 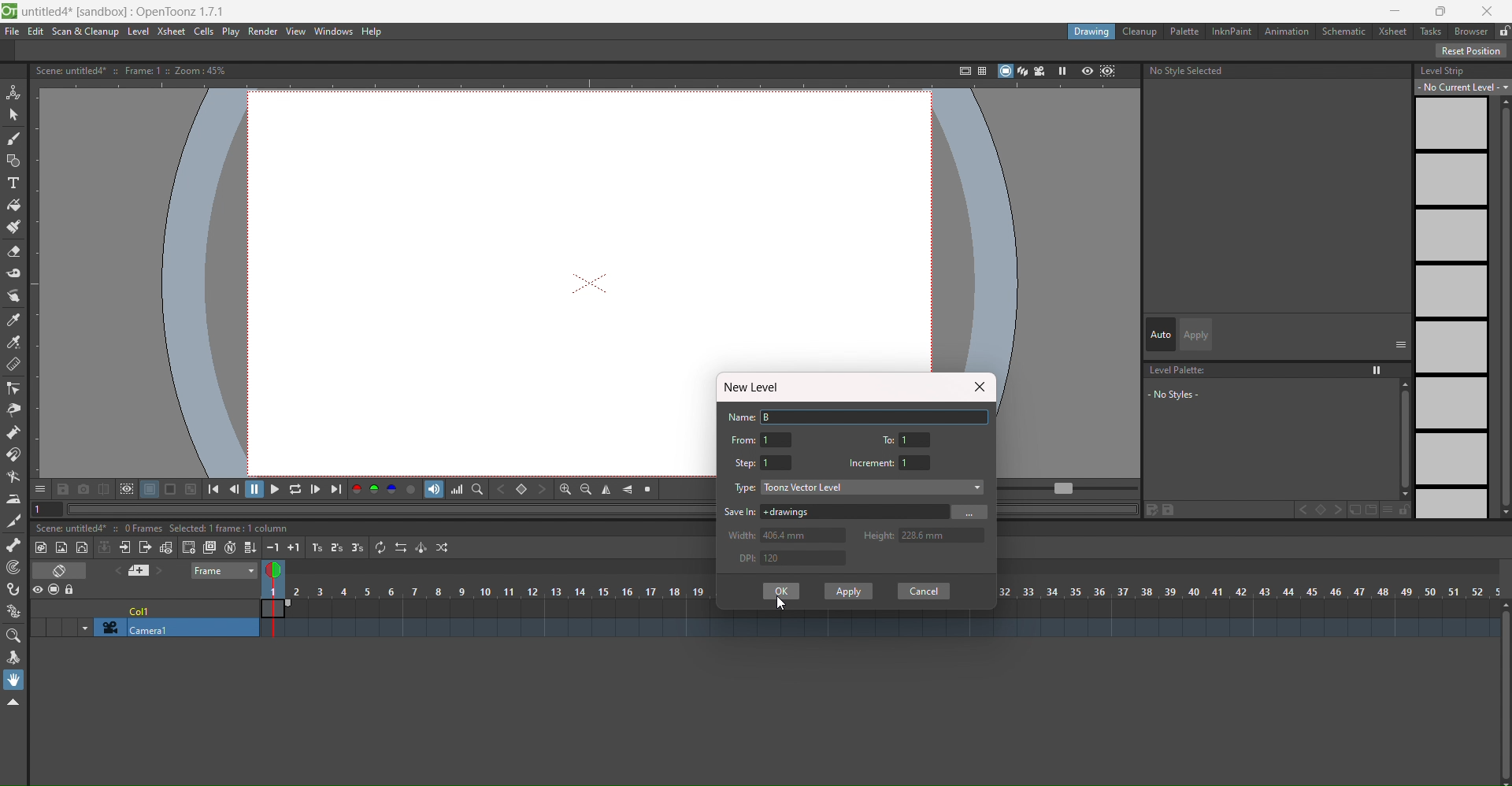 What do you see at coordinates (746, 488) in the screenshot?
I see `type` at bounding box center [746, 488].